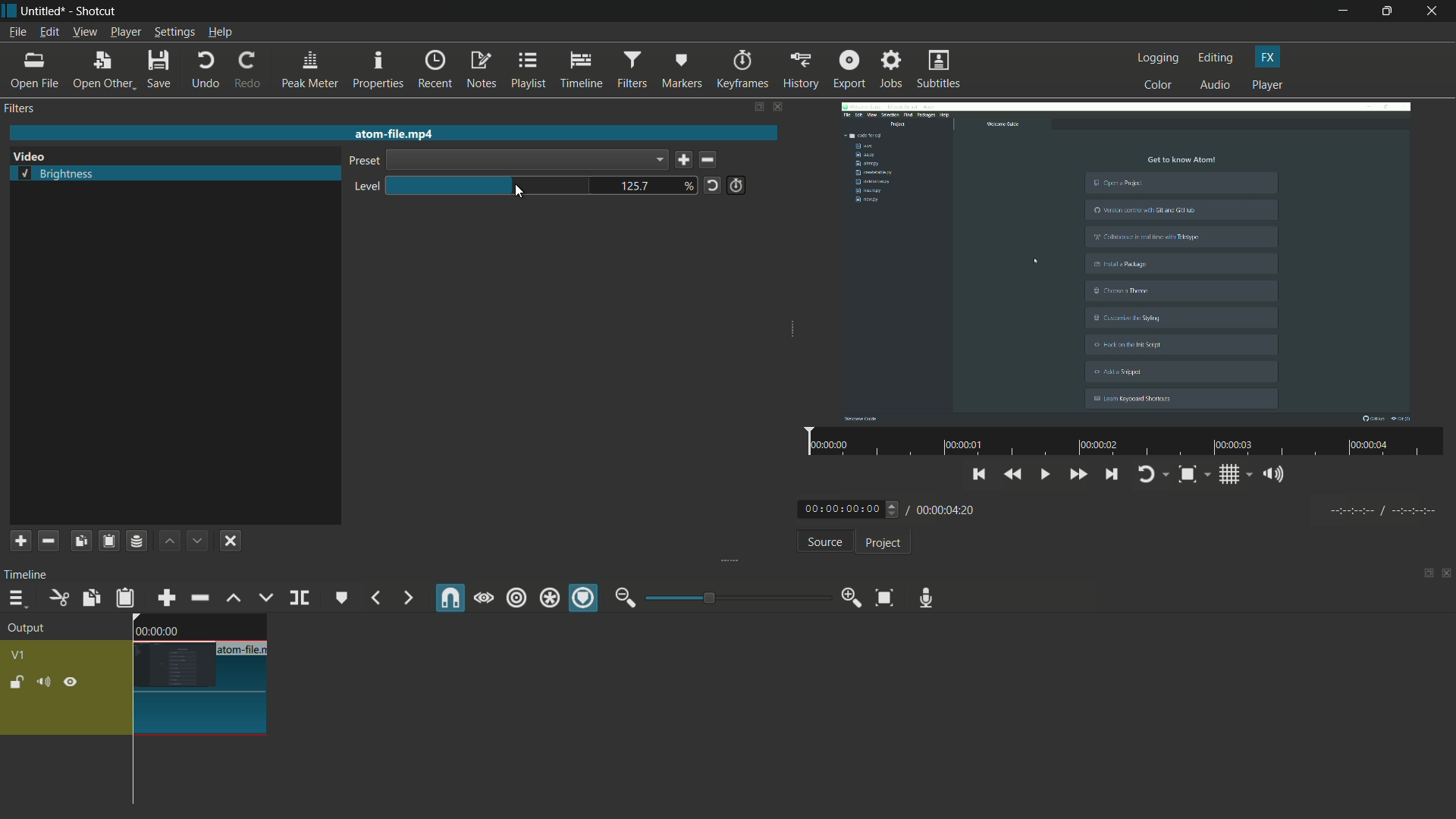 The width and height of the screenshot is (1456, 819). I want to click on open file, so click(36, 71).